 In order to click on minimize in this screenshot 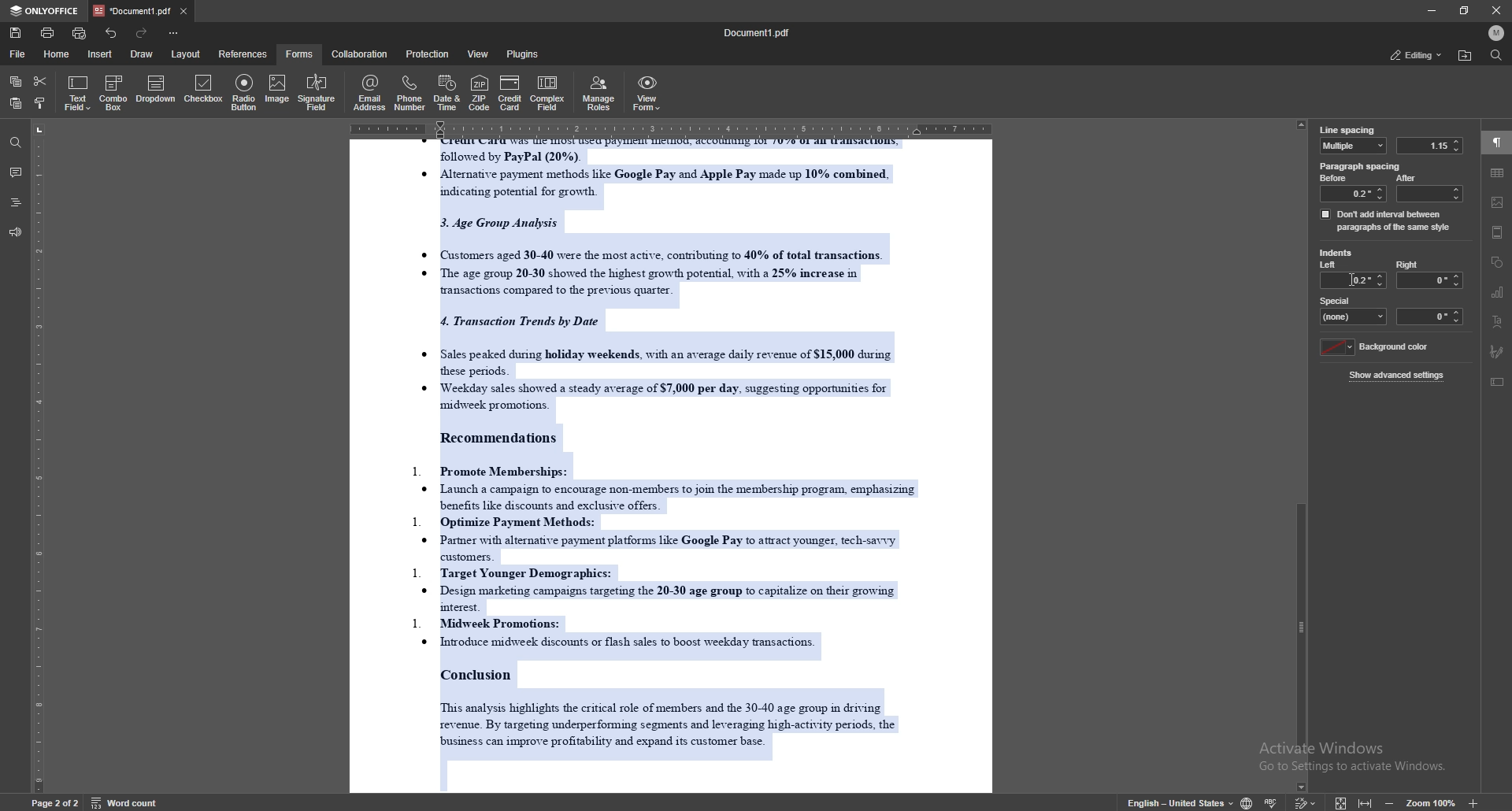, I will do `click(1431, 10)`.